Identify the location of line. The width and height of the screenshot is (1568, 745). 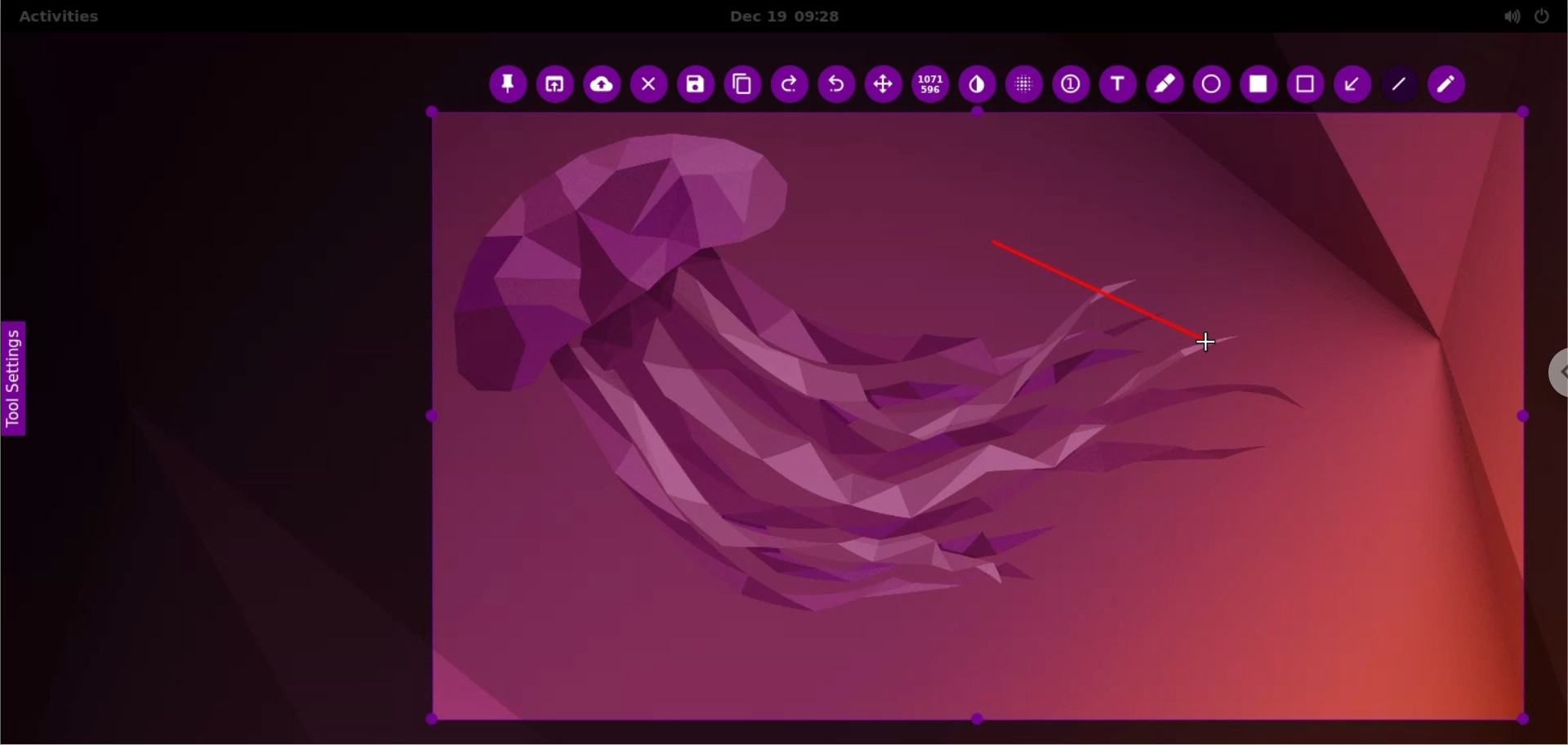
(1397, 85).